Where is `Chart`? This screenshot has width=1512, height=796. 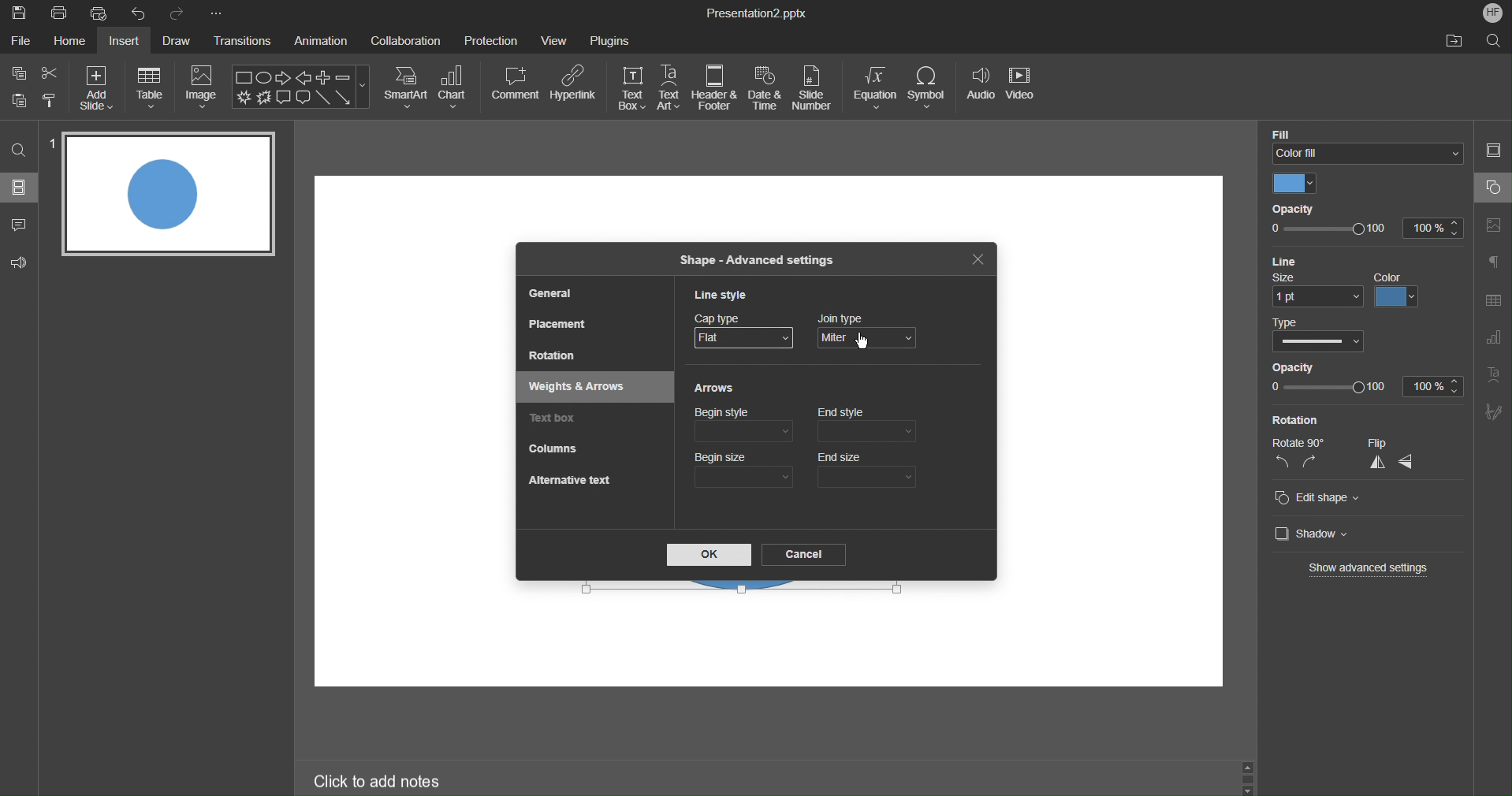
Chart is located at coordinates (455, 87).